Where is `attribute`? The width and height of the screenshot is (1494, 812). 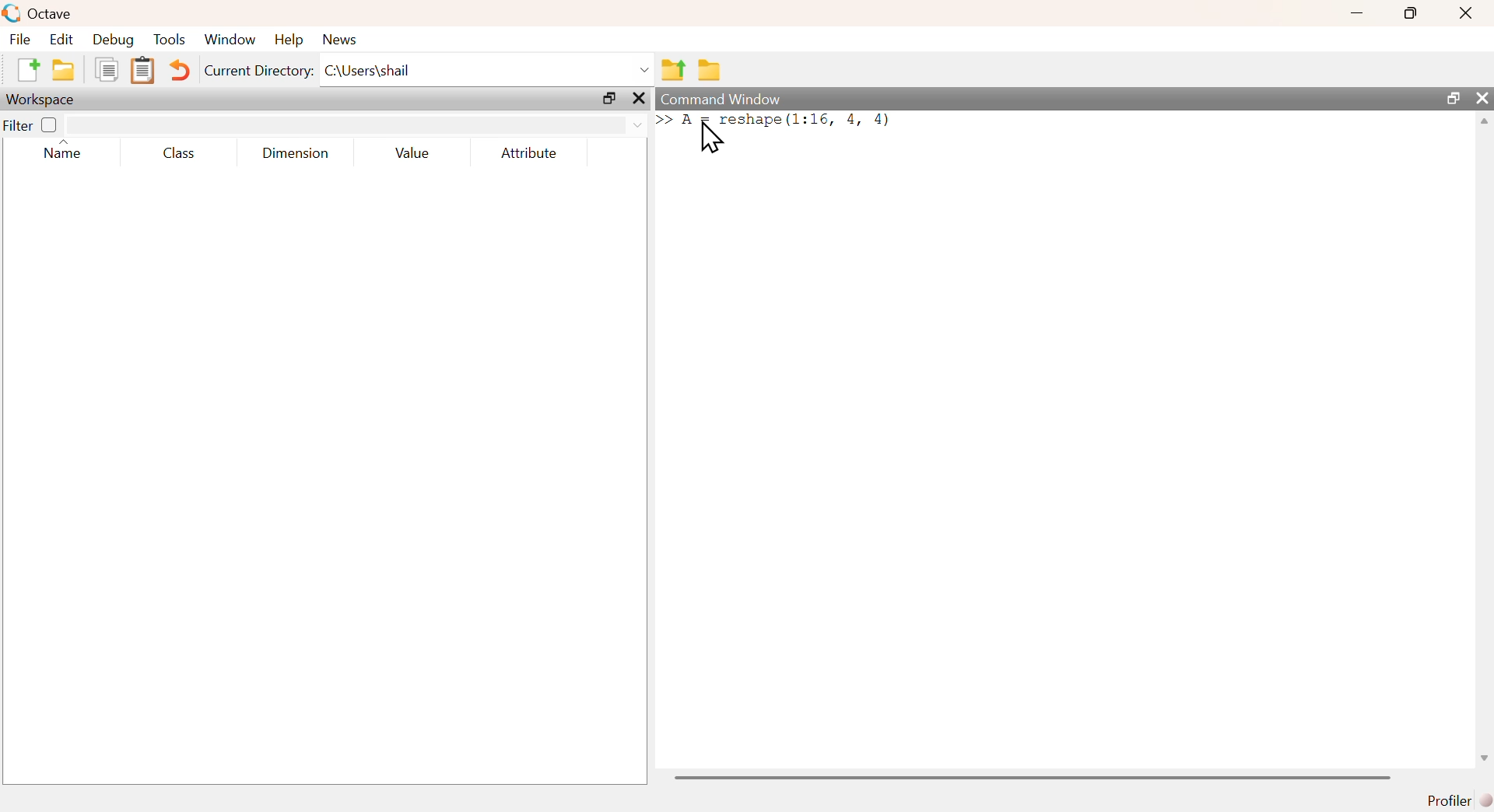
attribute is located at coordinates (534, 154).